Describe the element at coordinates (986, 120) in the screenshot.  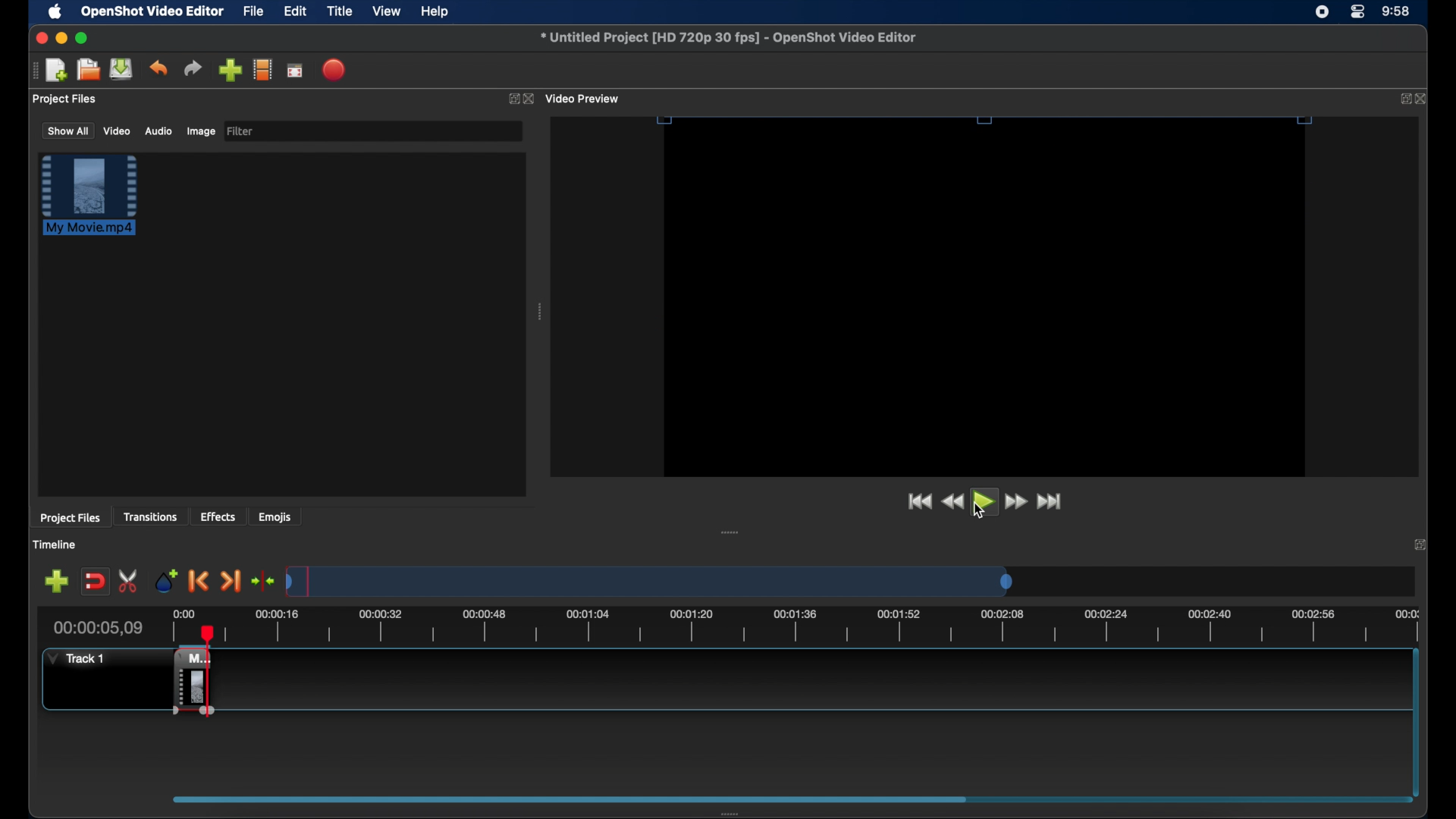
I see `resize handle` at that location.